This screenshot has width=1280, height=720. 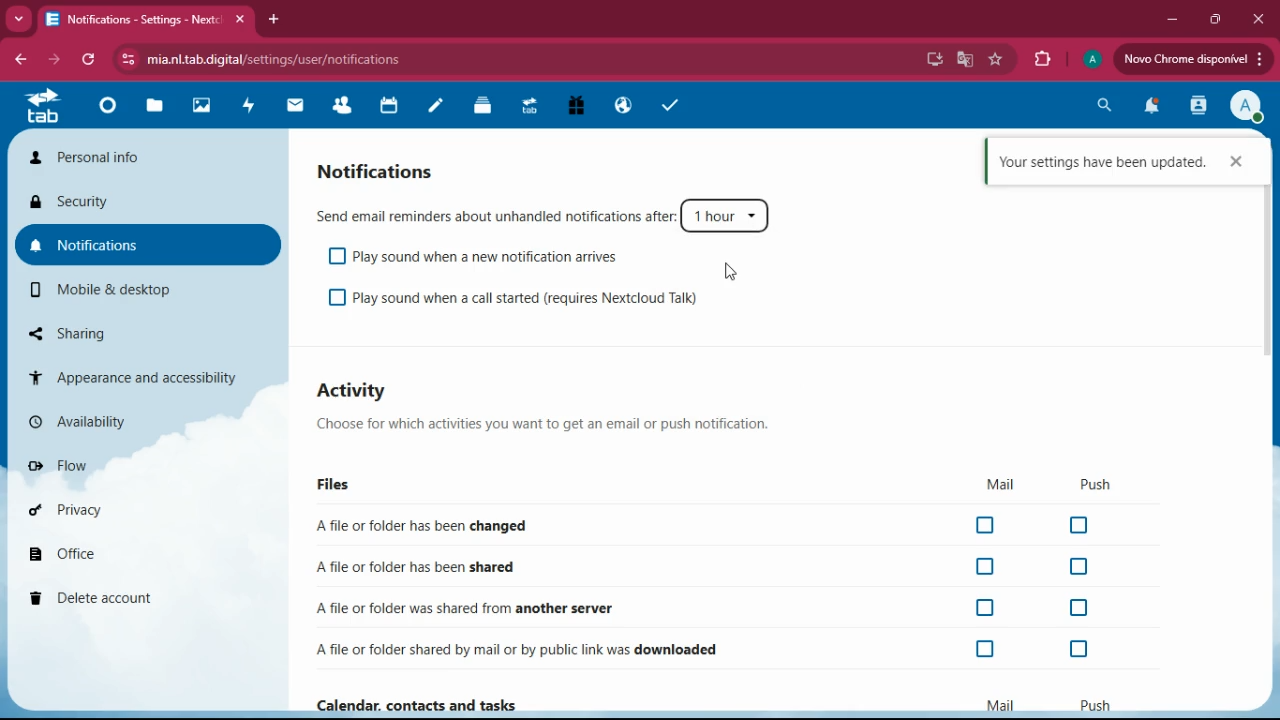 I want to click on extensions, so click(x=1041, y=60).